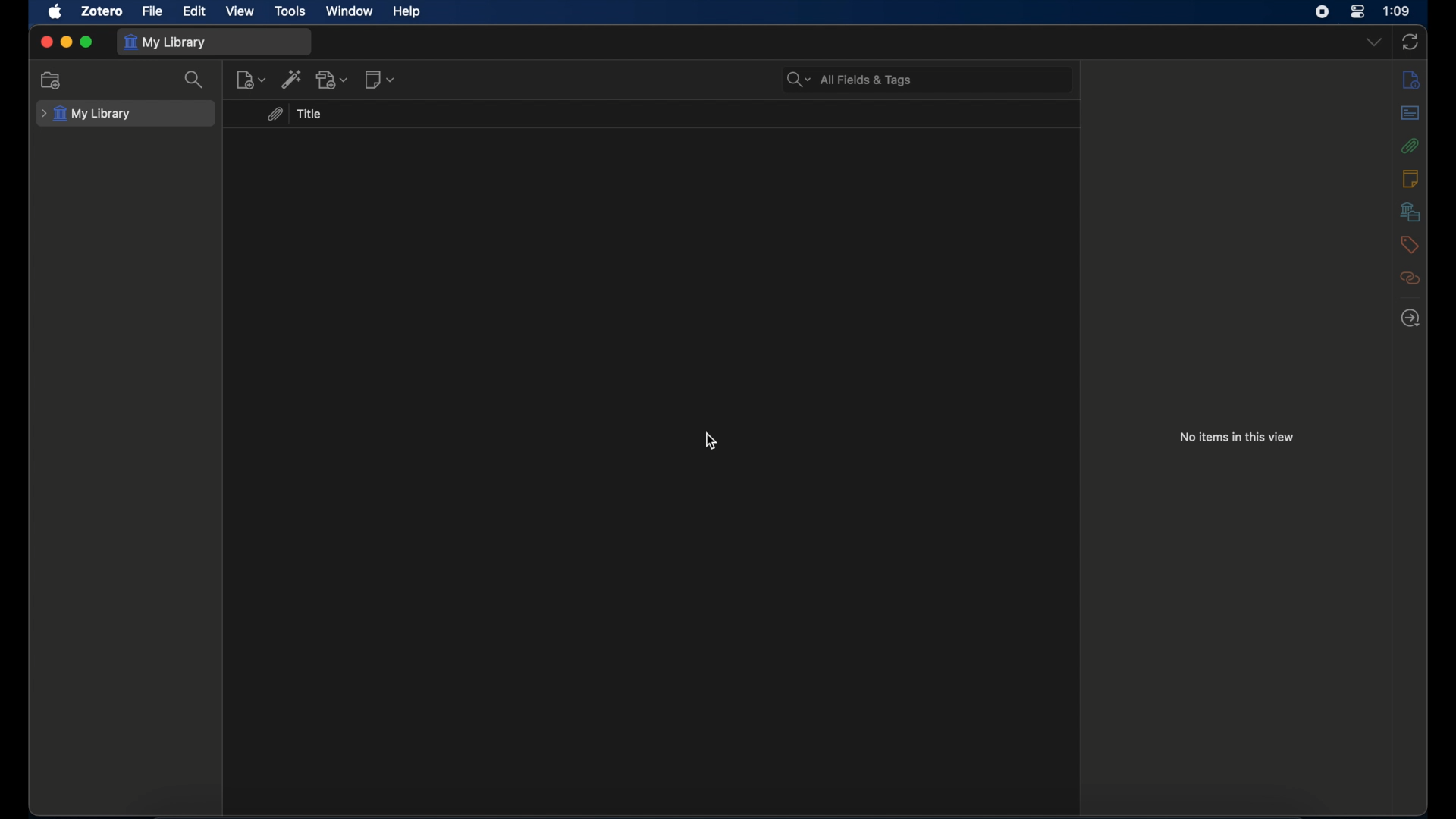  What do you see at coordinates (1412, 80) in the screenshot?
I see `info` at bounding box center [1412, 80].